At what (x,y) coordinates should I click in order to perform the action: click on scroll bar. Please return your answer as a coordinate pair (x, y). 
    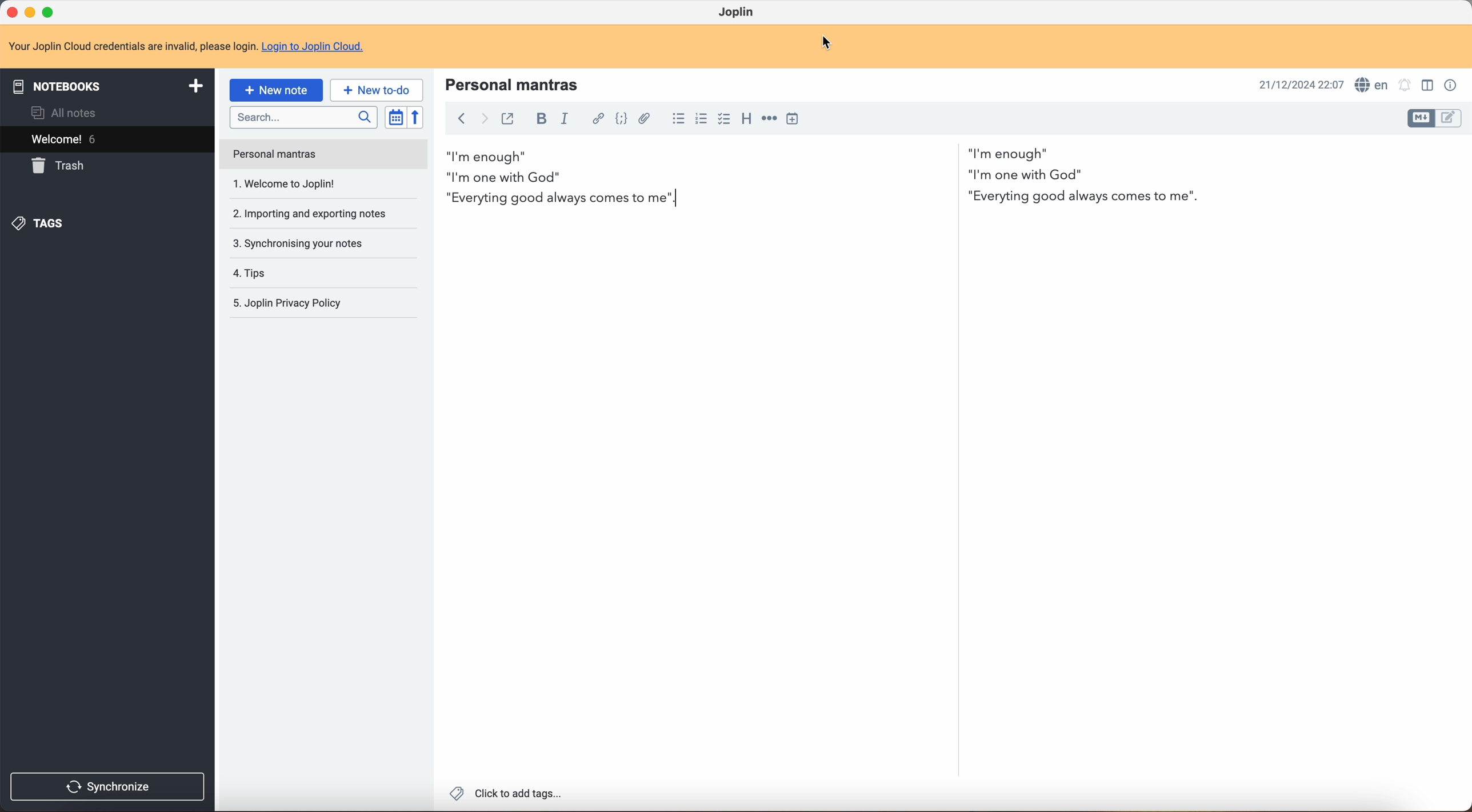
    Looking at the image, I should click on (956, 382).